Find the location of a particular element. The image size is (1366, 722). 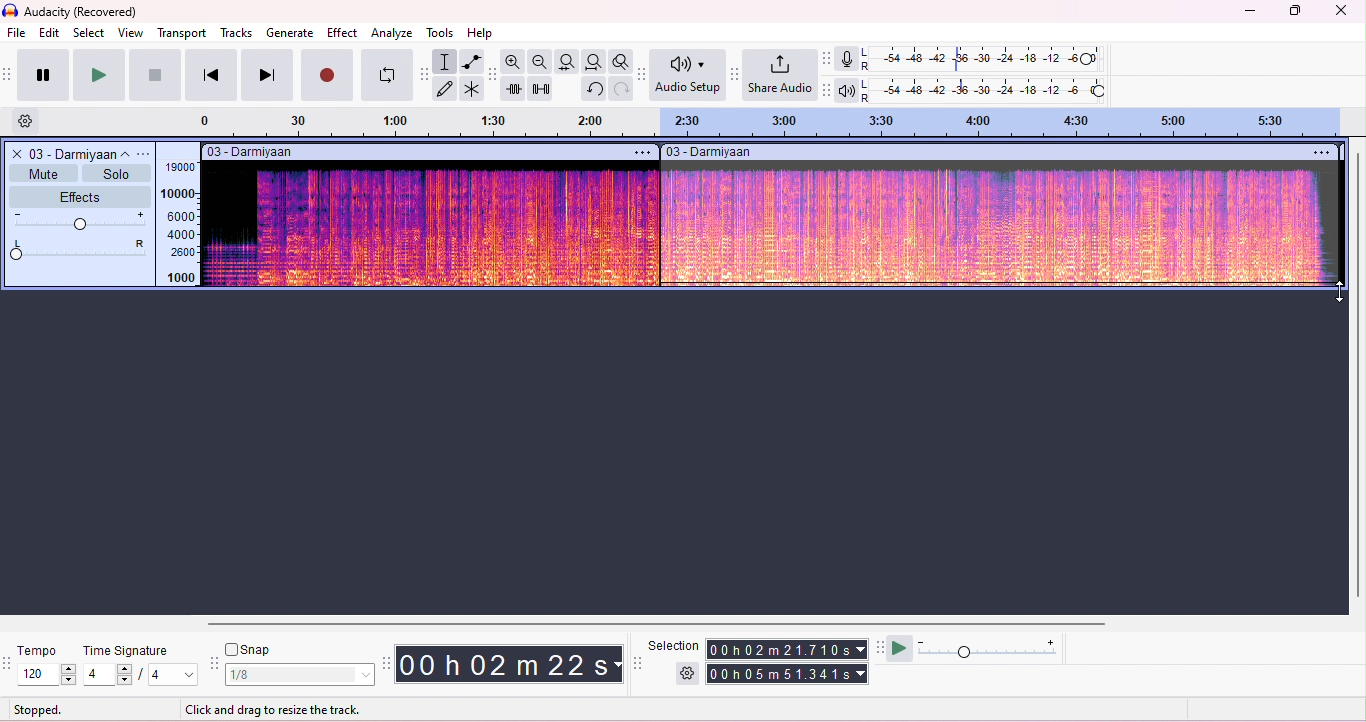

timeline is located at coordinates (779, 122).